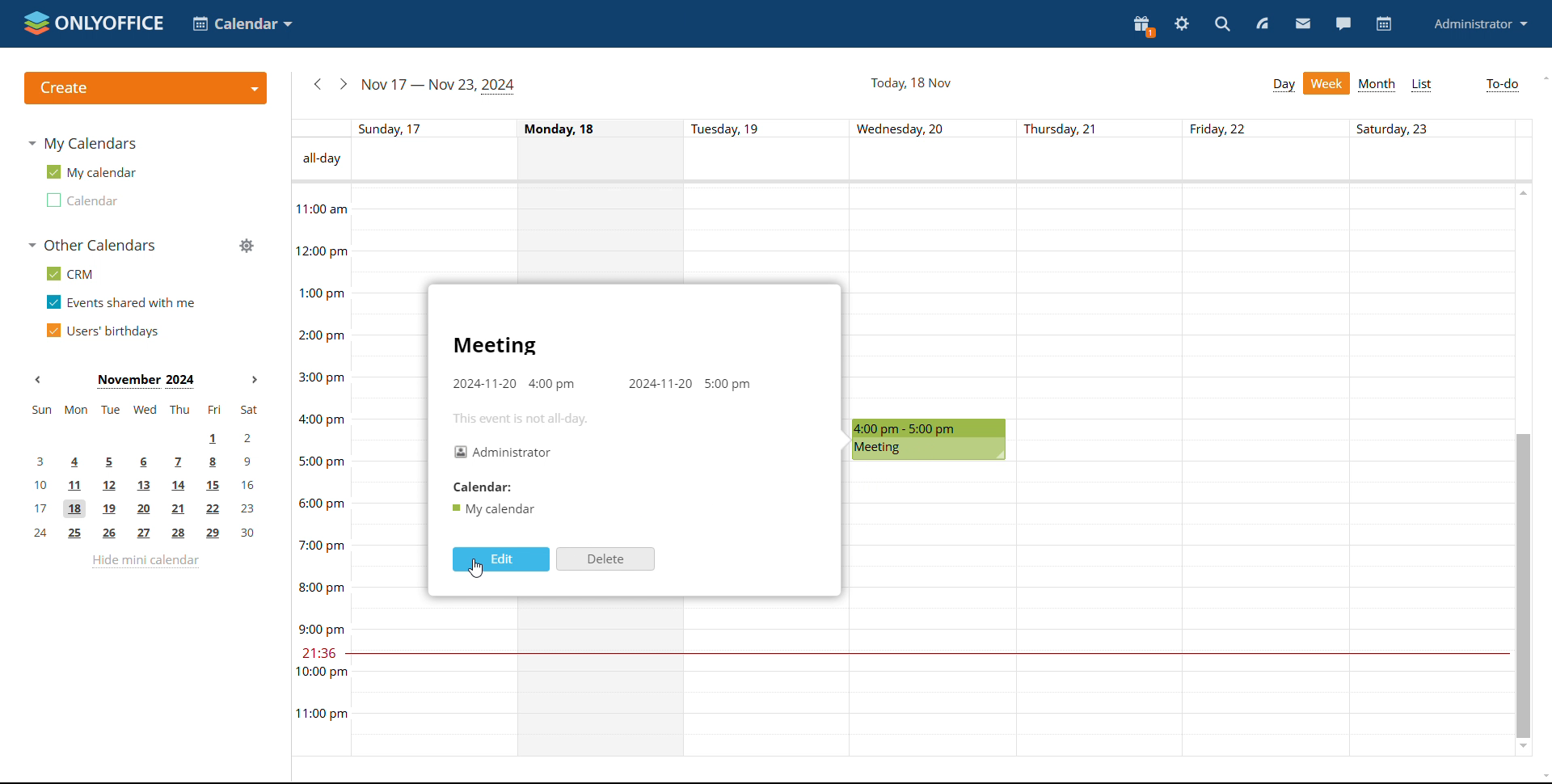  I want to click on next week, so click(344, 83).